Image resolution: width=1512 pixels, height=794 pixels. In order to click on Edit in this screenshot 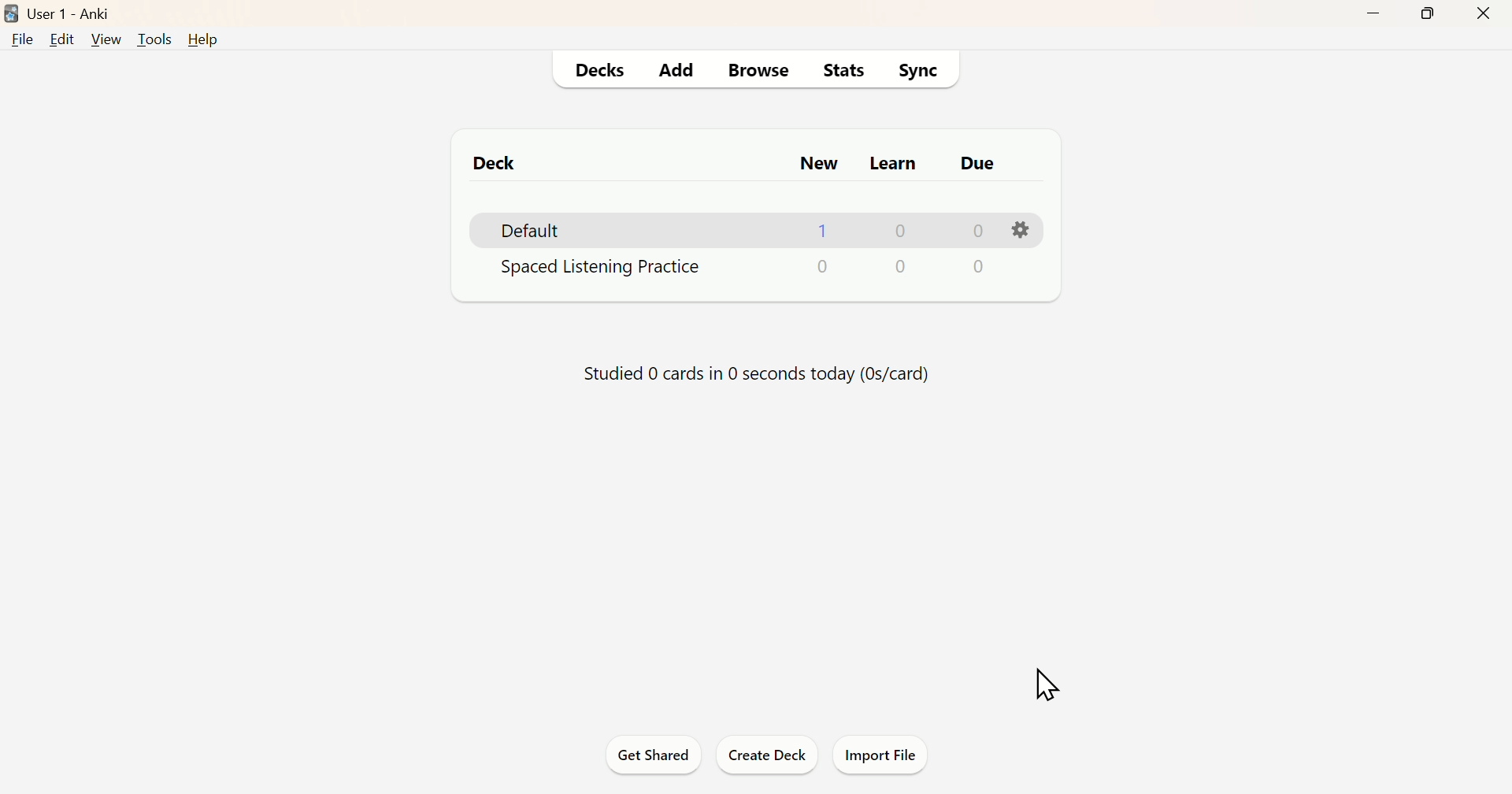, I will do `click(62, 43)`.